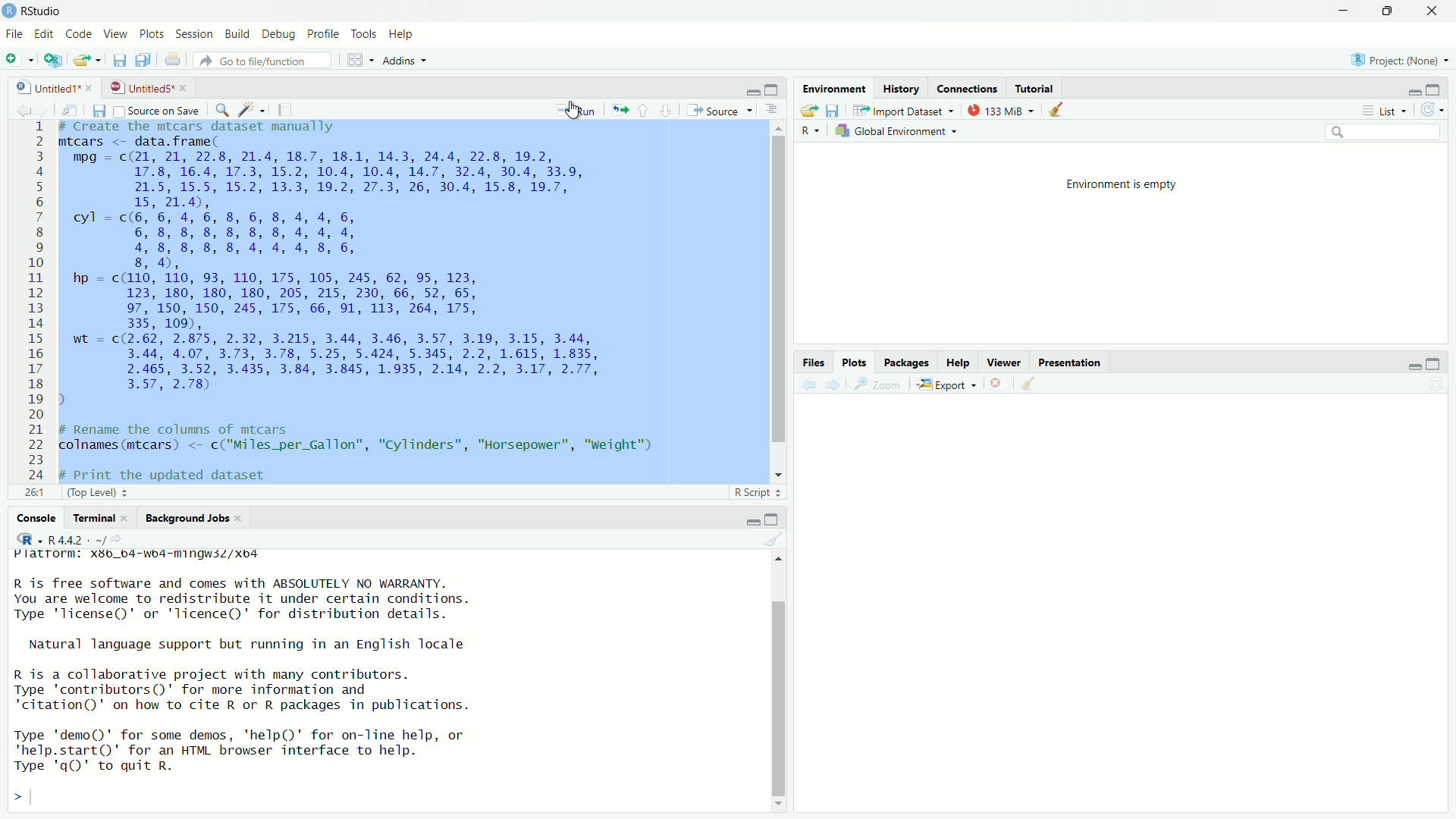  What do you see at coordinates (86, 63) in the screenshot?
I see `export` at bounding box center [86, 63].